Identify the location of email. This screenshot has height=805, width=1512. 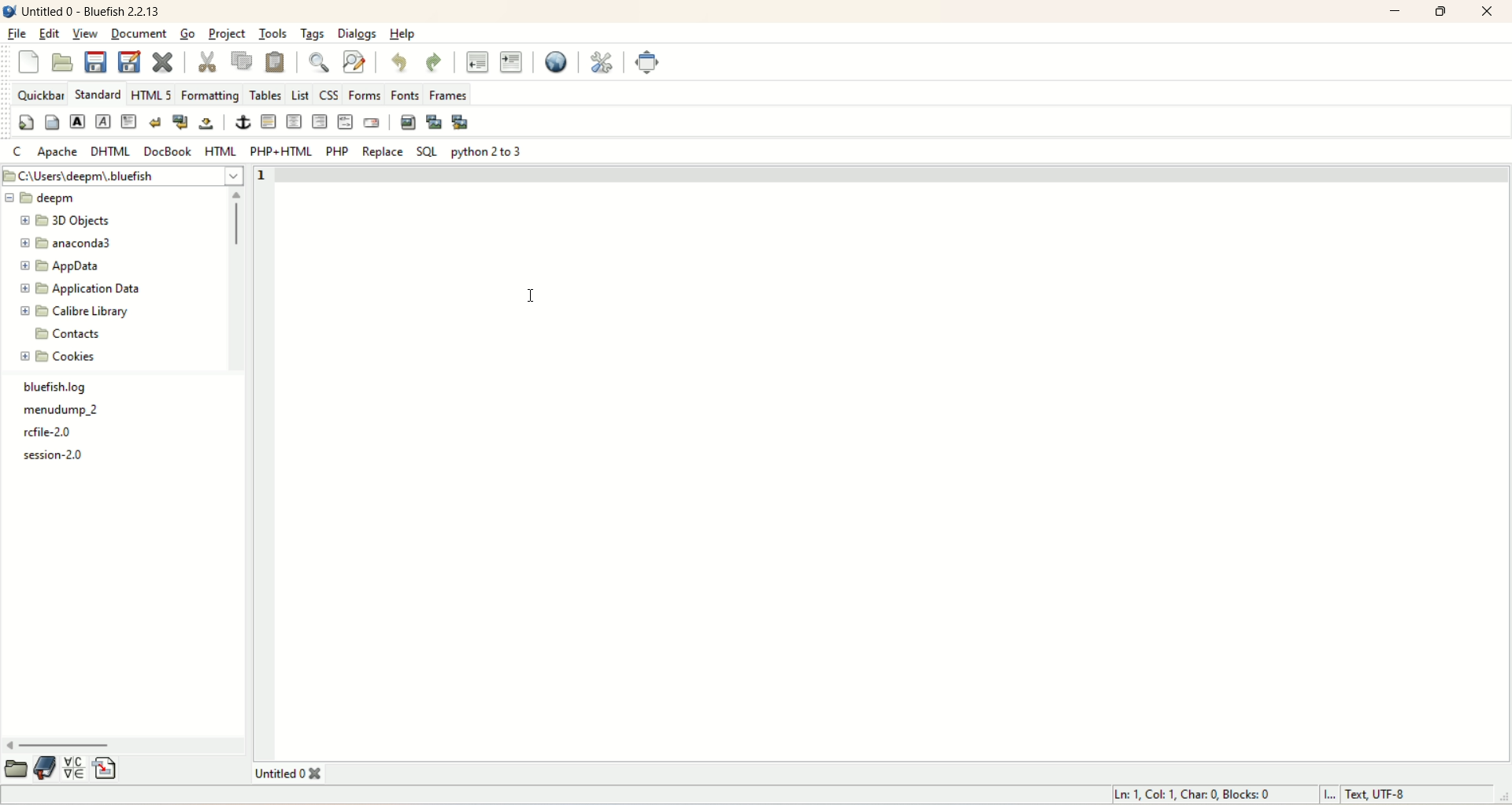
(374, 124).